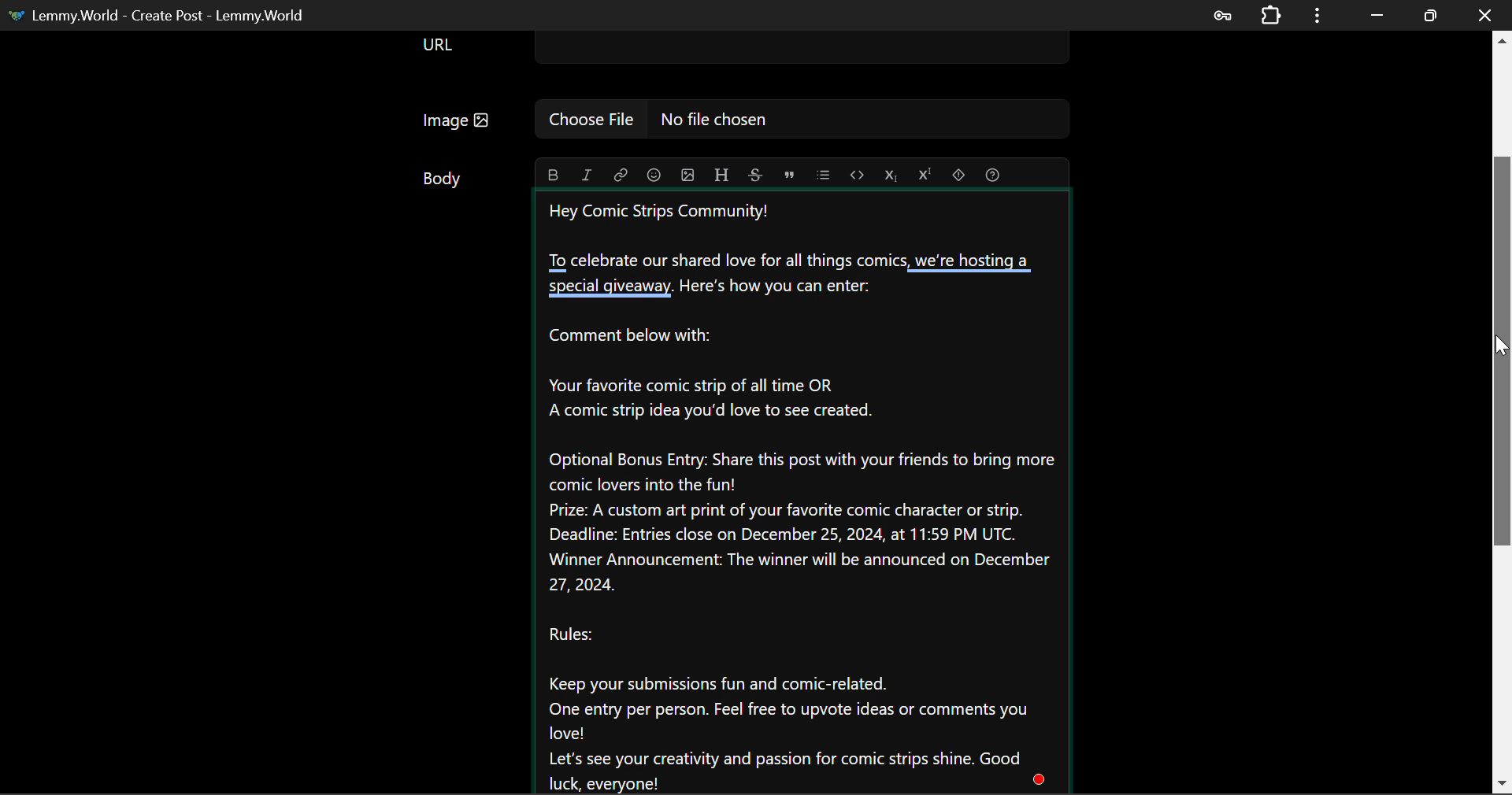 This screenshot has height=795, width=1512. What do you see at coordinates (756, 175) in the screenshot?
I see `strikethrough` at bounding box center [756, 175].